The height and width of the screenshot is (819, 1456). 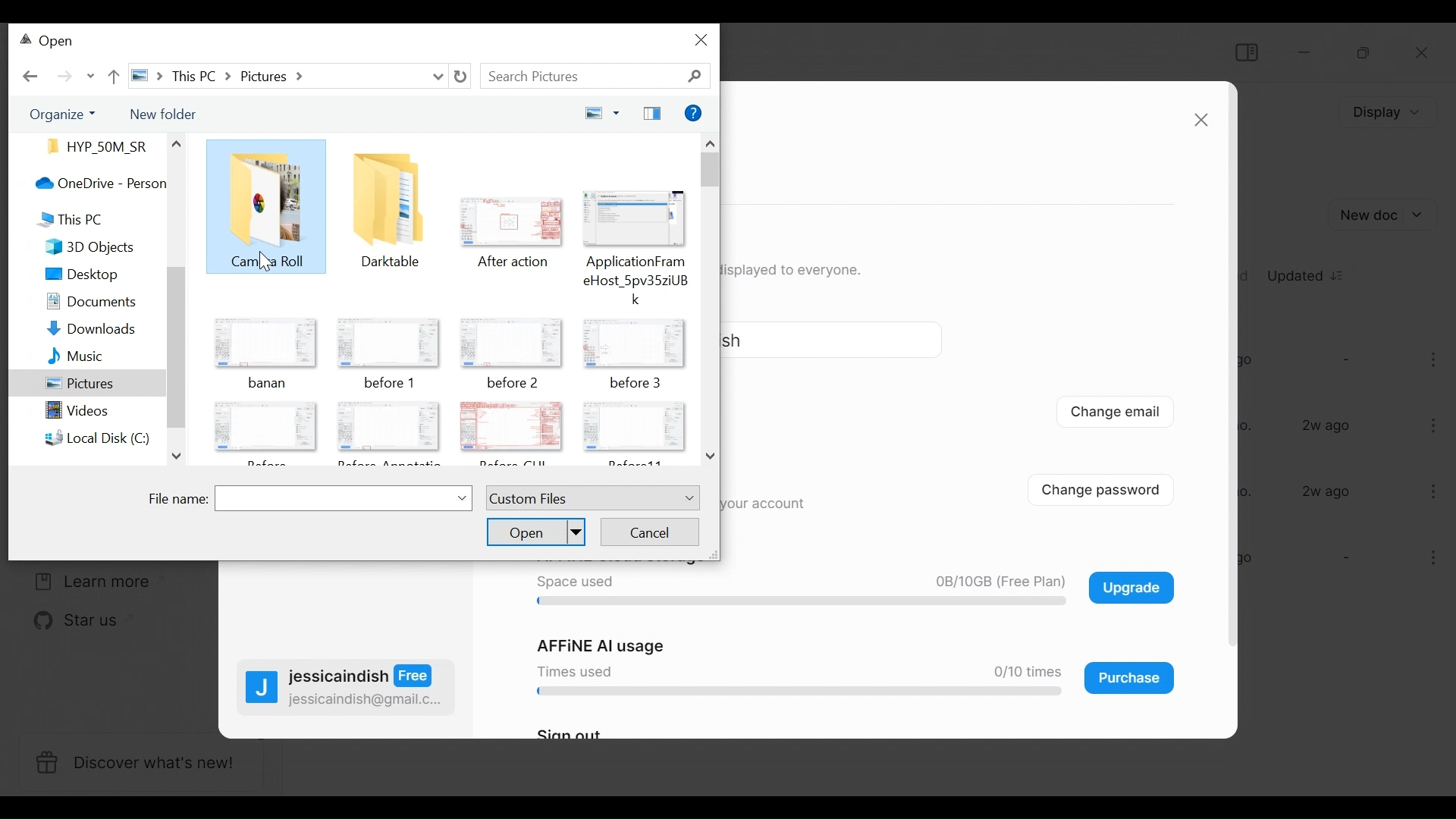 I want to click on Learn more, so click(x=87, y=582).